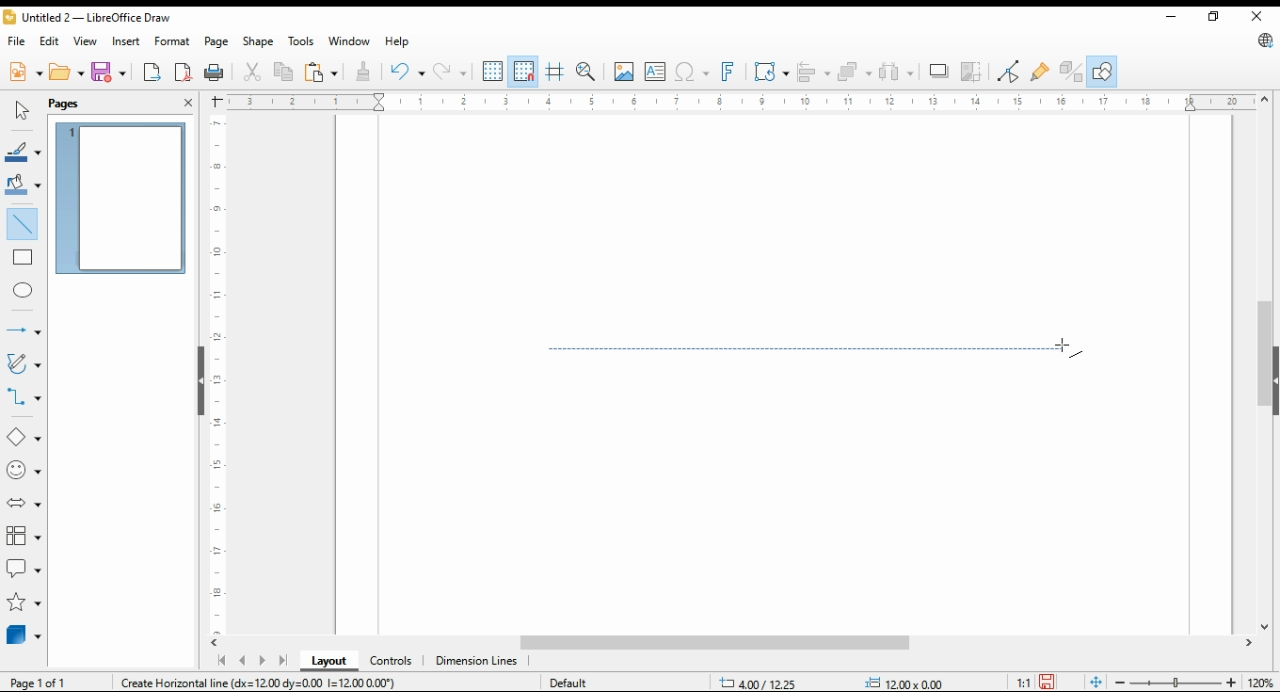 The width and height of the screenshot is (1280, 692). I want to click on clone formatting, so click(367, 72).